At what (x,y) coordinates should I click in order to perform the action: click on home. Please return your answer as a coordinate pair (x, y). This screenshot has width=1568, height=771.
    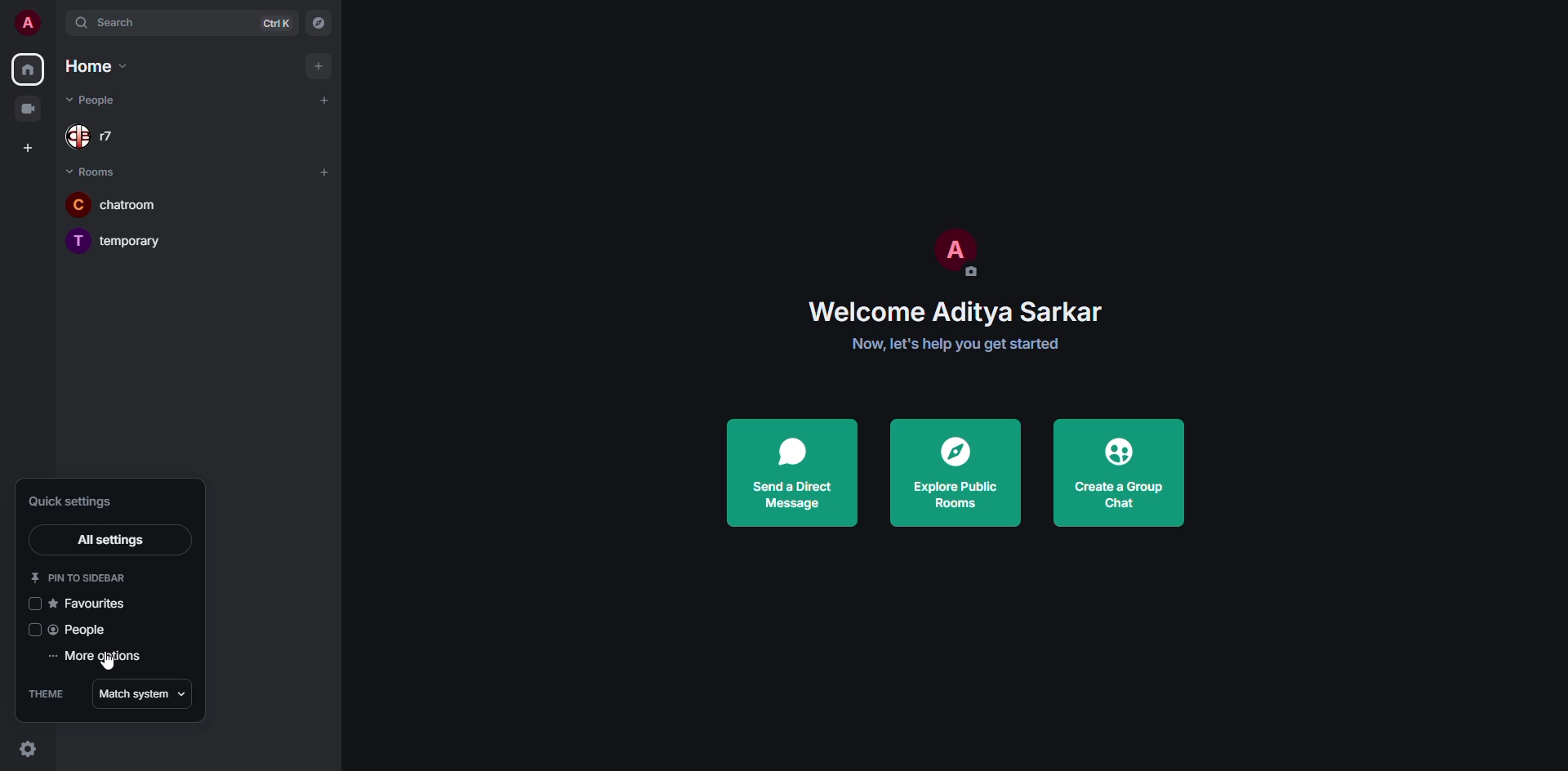
    Looking at the image, I should click on (98, 67).